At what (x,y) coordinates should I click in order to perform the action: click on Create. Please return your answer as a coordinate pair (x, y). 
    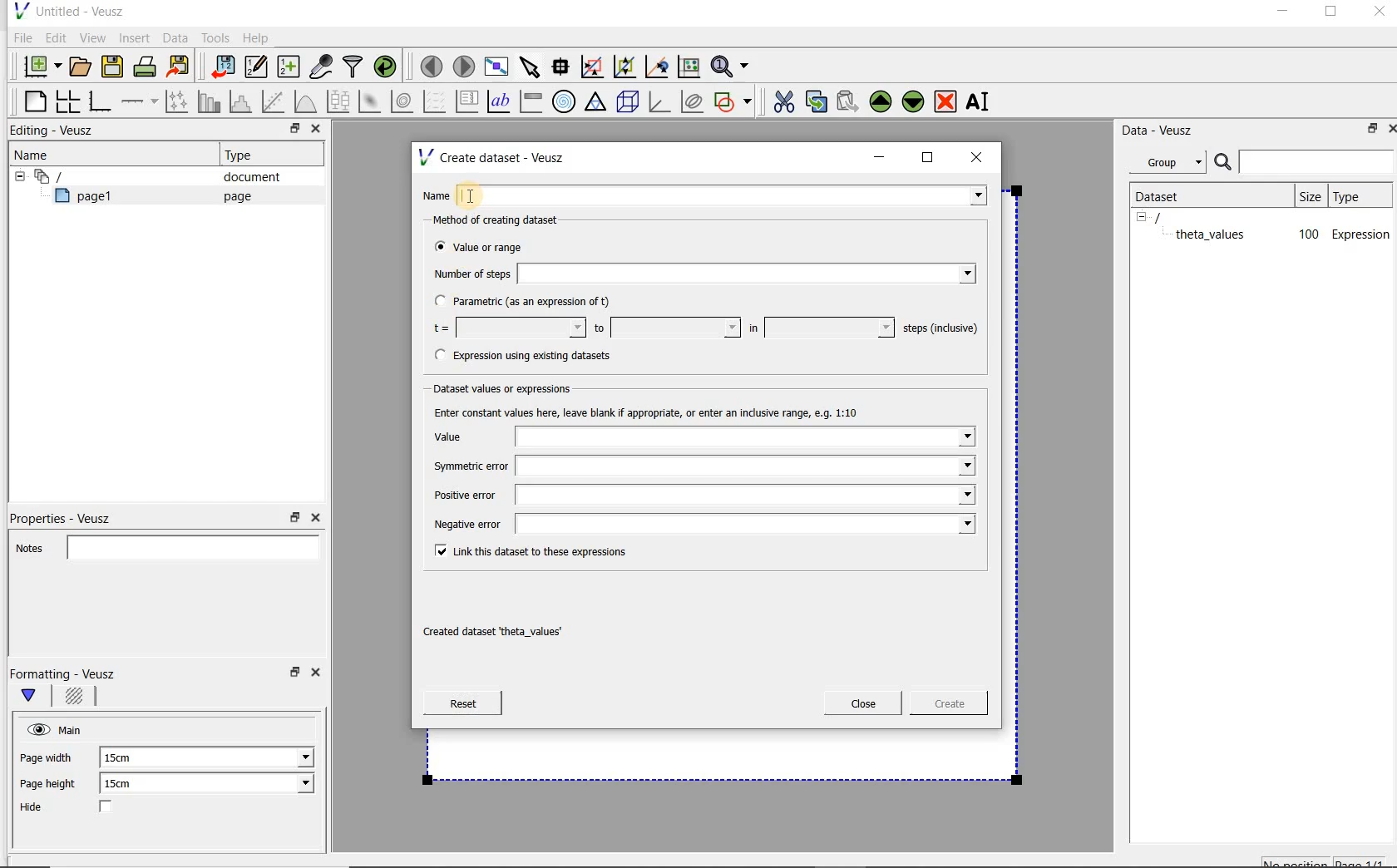
    Looking at the image, I should click on (944, 706).